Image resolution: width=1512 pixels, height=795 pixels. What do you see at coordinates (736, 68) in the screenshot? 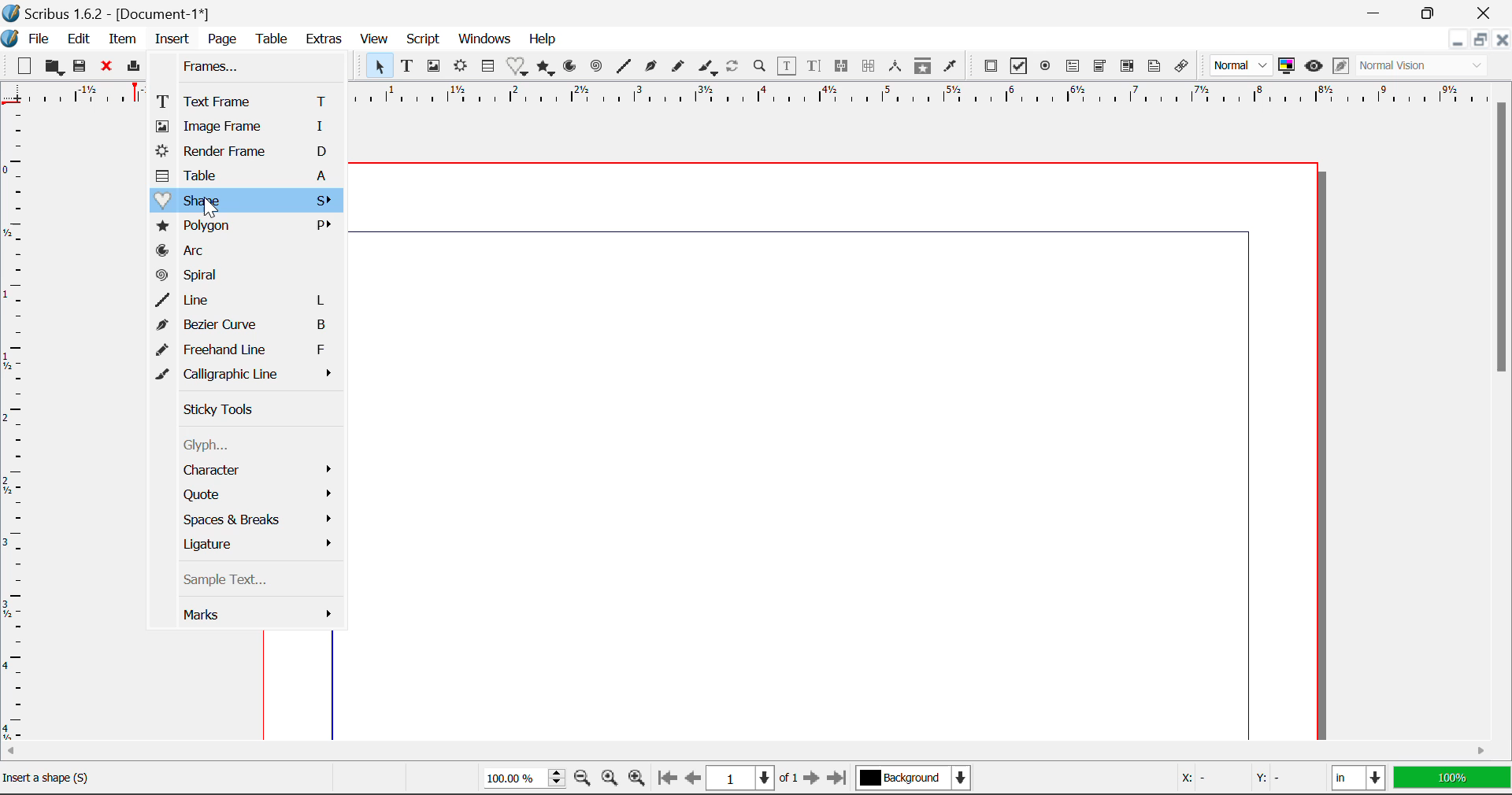
I see `Refresh` at bounding box center [736, 68].